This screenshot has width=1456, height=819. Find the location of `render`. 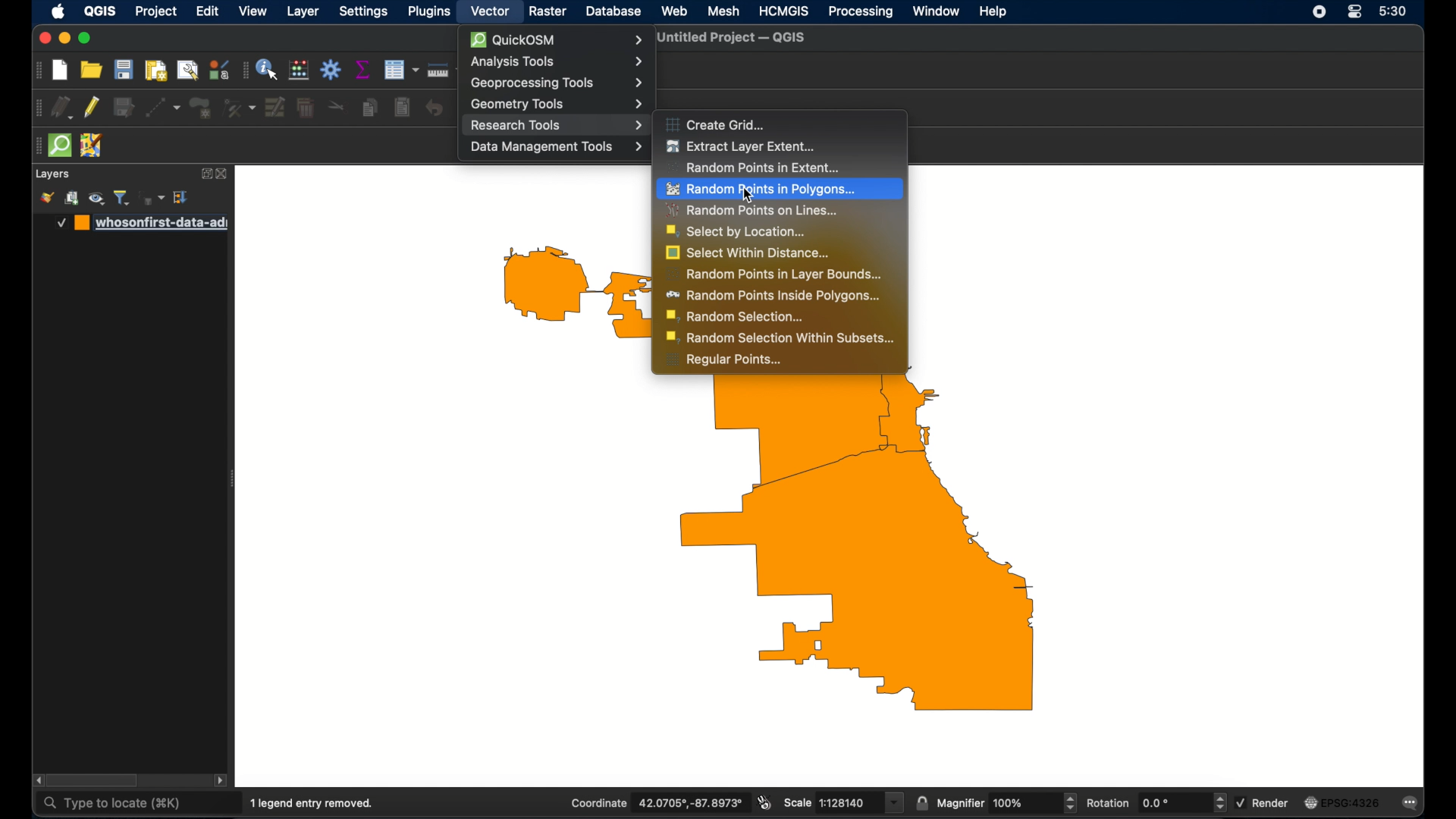

render is located at coordinates (1262, 803).